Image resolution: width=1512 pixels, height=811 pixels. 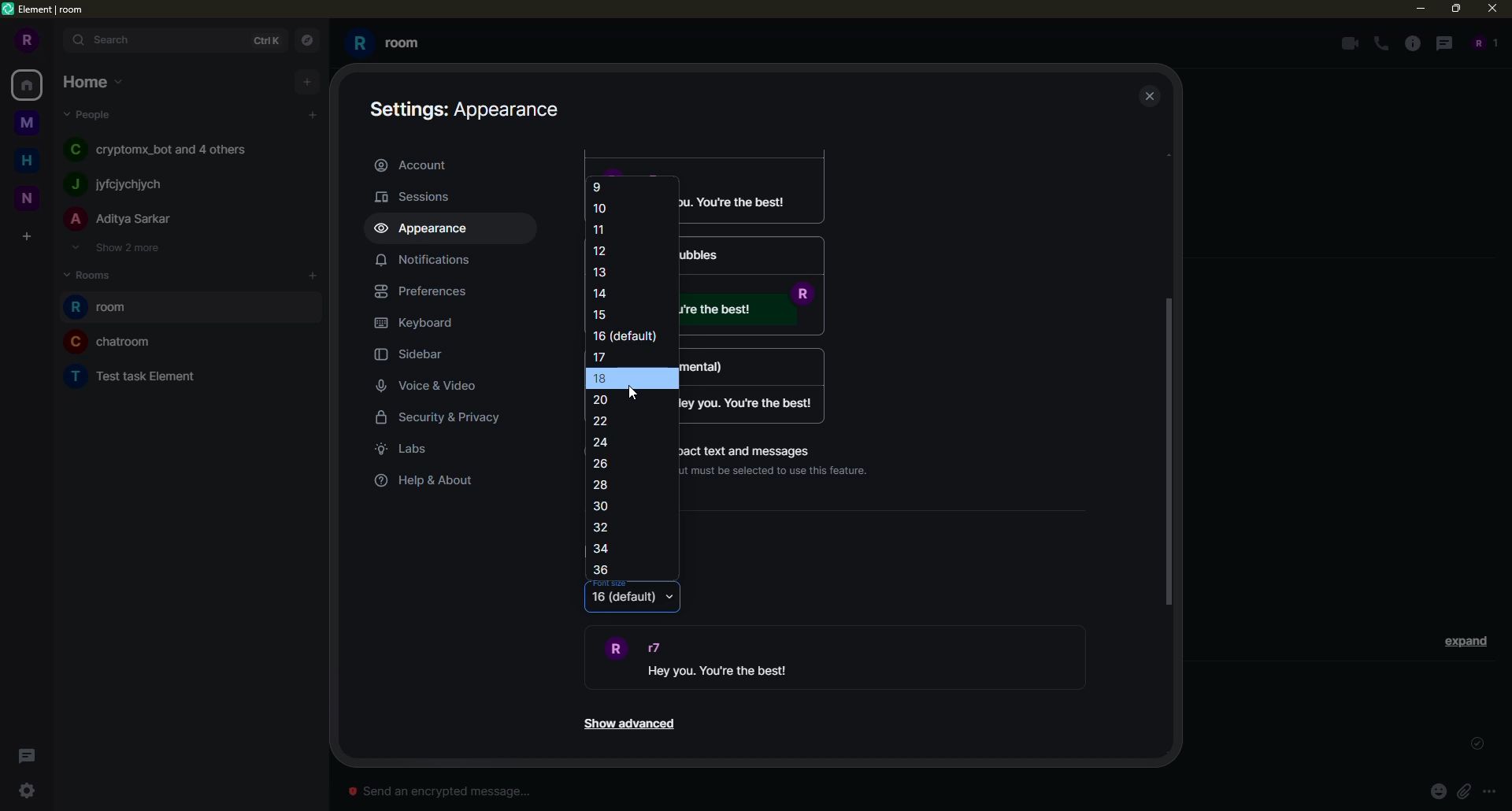 I want to click on 34, so click(x=603, y=550).